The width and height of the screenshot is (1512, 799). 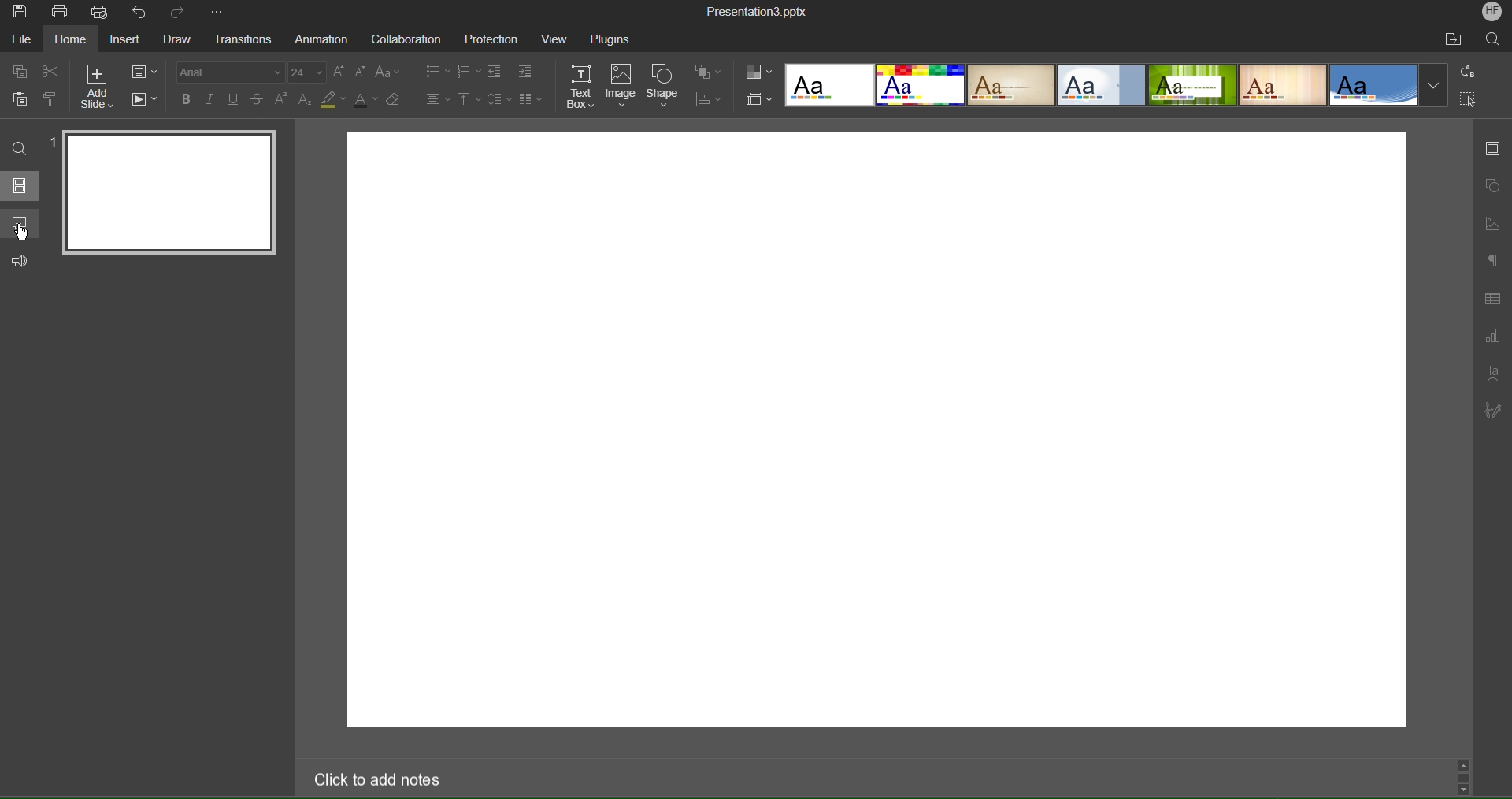 What do you see at coordinates (470, 71) in the screenshot?
I see `List Options` at bounding box center [470, 71].